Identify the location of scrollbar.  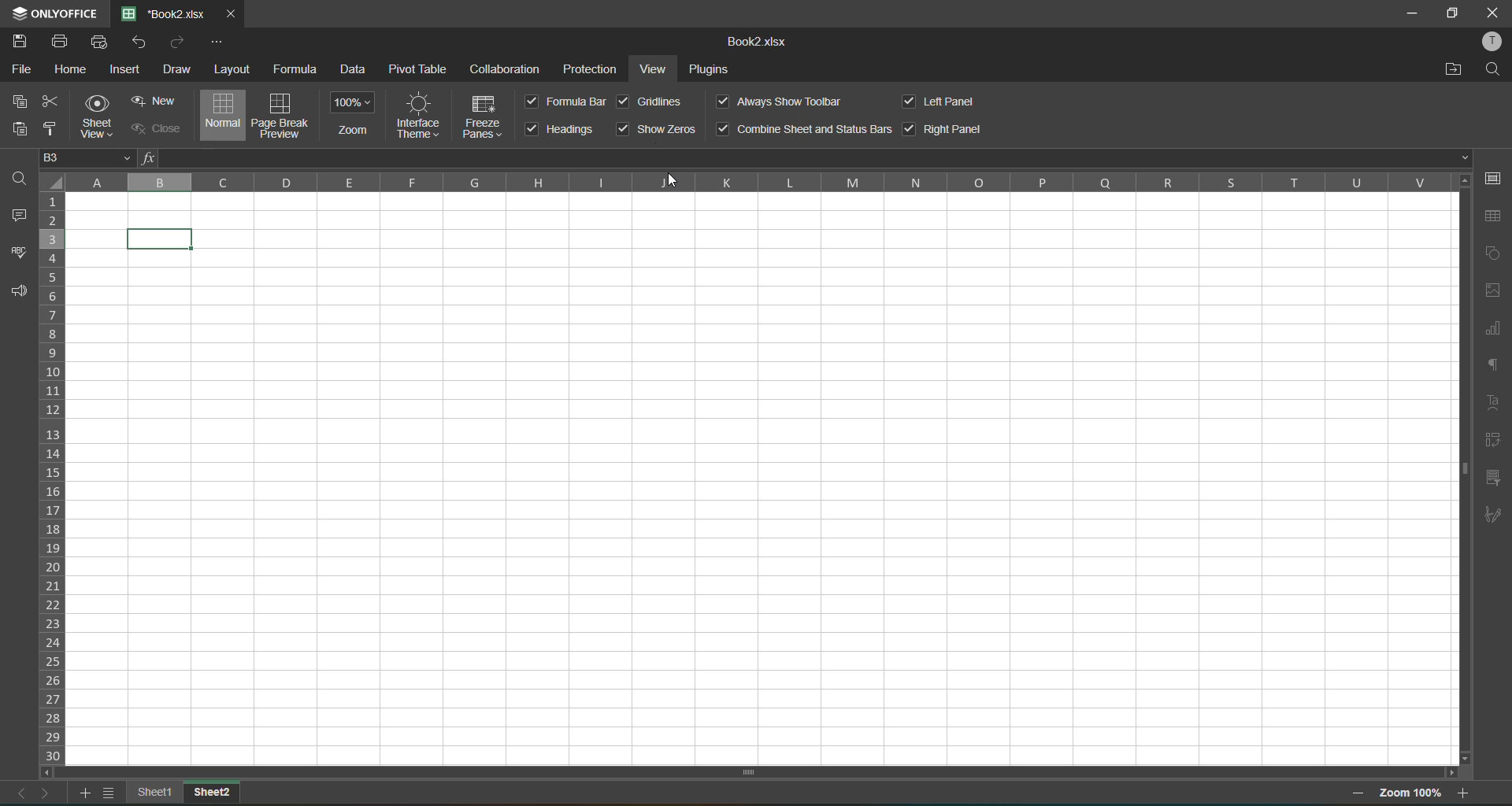
(750, 773).